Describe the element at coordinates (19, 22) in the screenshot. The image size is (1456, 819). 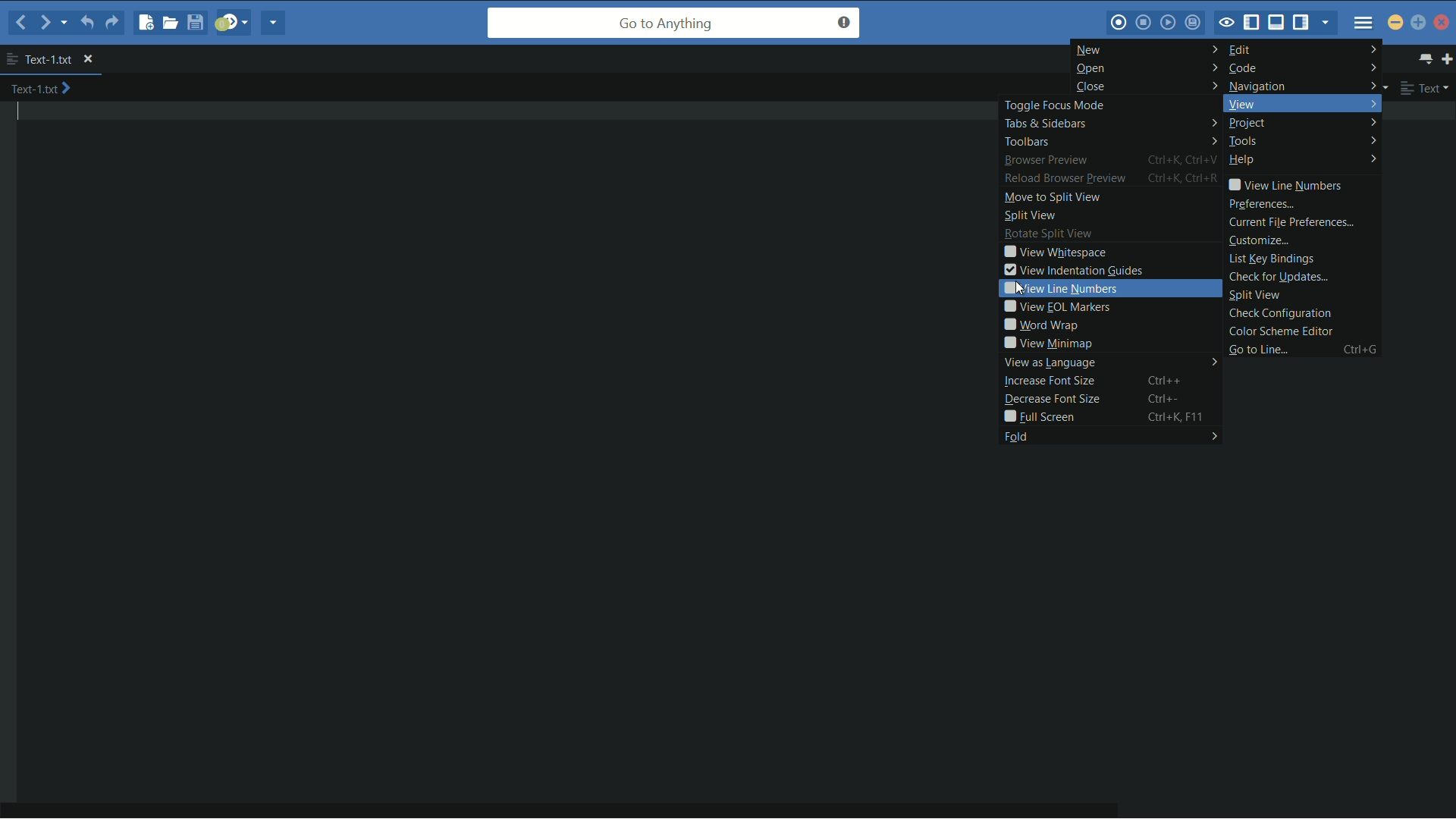
I see `back` at that location.